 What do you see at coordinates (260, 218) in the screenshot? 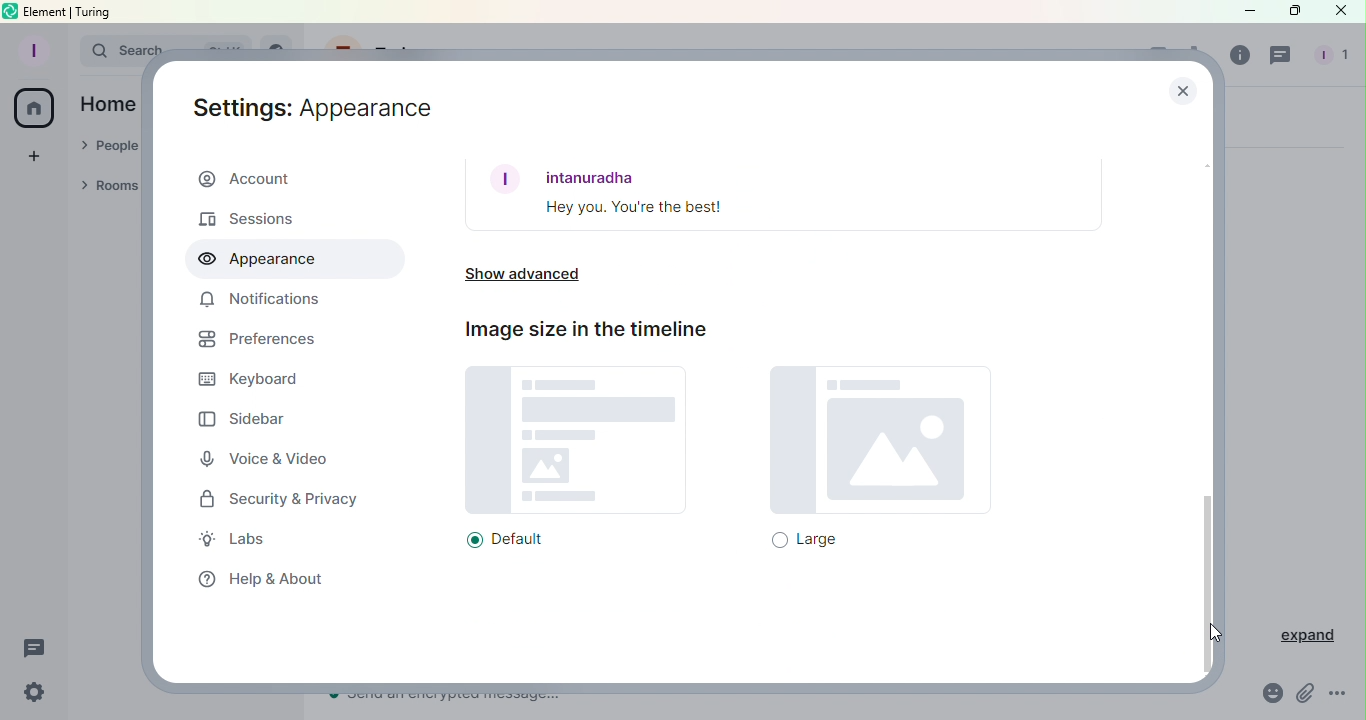
I see `Sessions` at bounding box center [260, 218].